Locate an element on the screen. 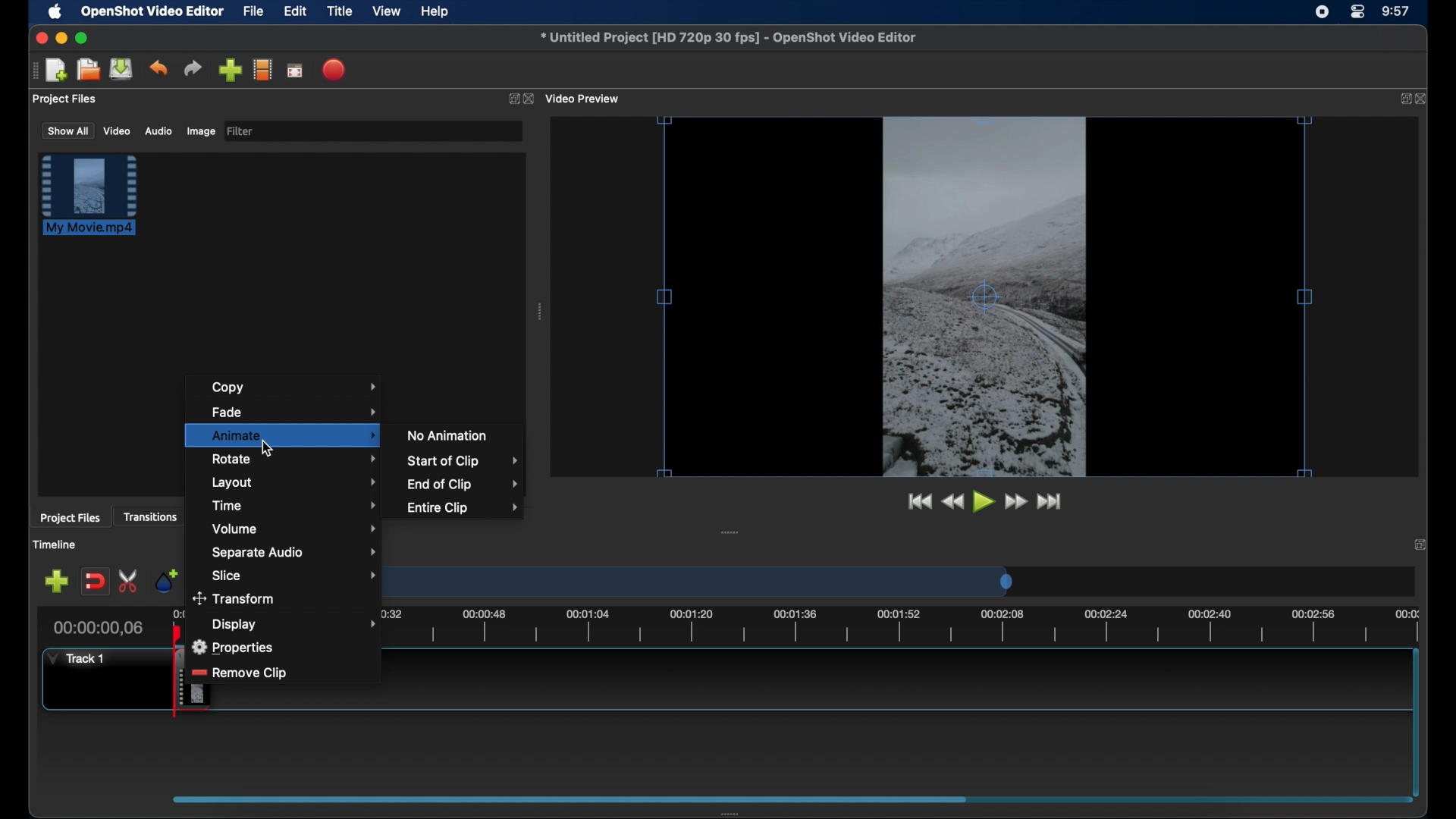  timeline is located at coordinates (55, 544).